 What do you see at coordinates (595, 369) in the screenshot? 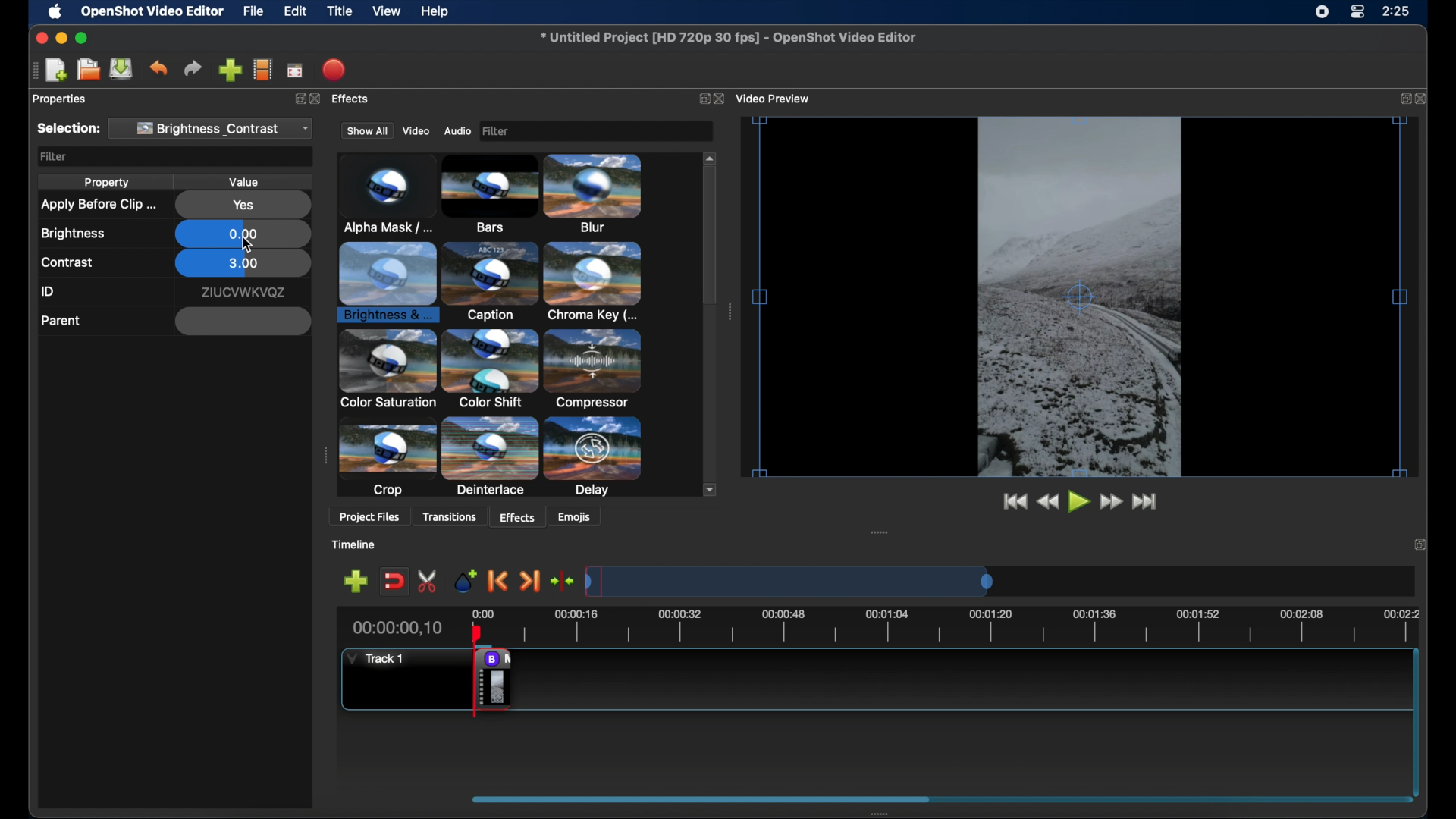
I see `delay` at bounding box center [595, 369].